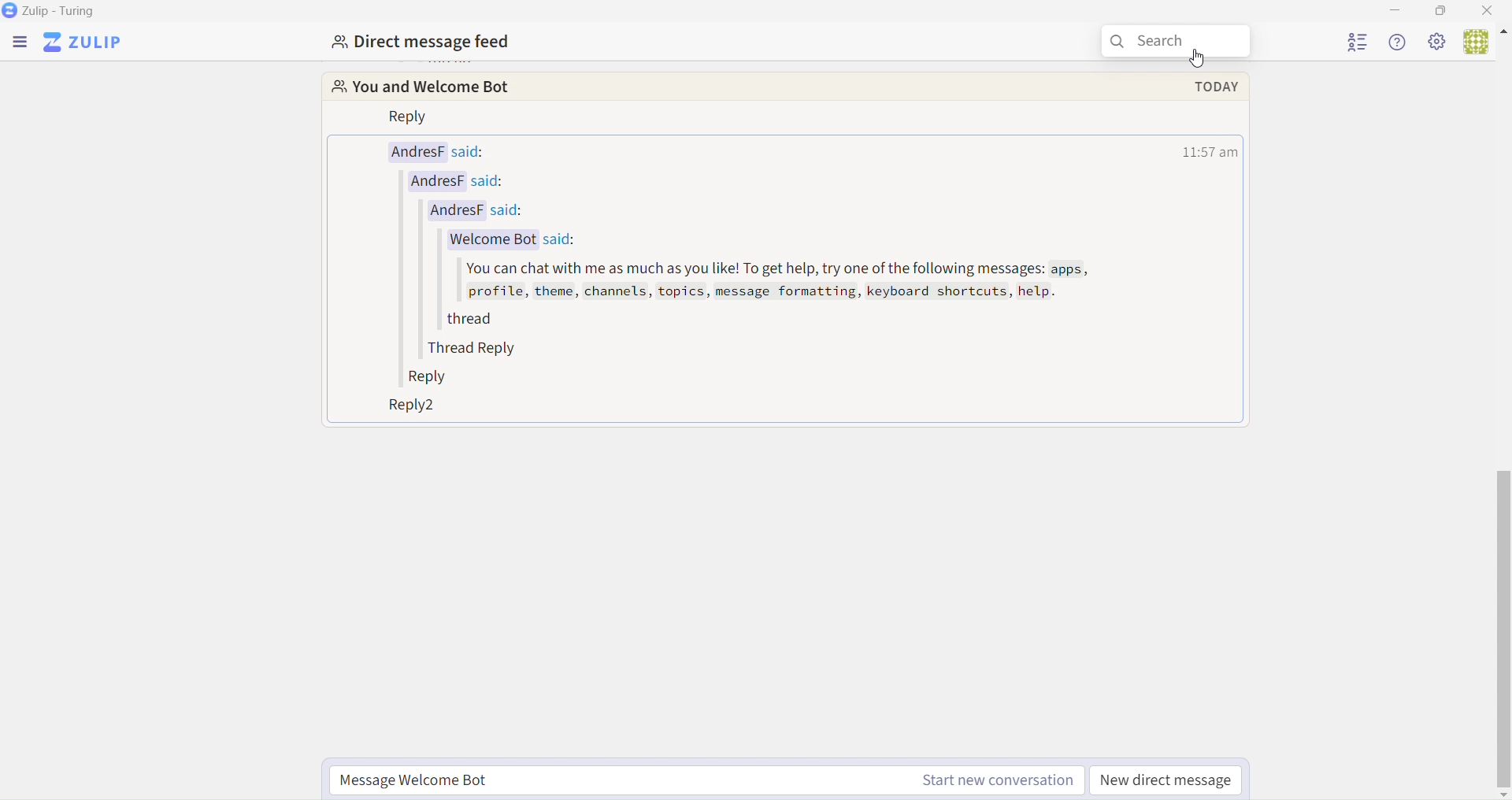 This screenshot has width=1512, height=800. What do you see at coordinates (1484, 43) in the screenshot?
I see `Users` at bounding box center [1484, 43].